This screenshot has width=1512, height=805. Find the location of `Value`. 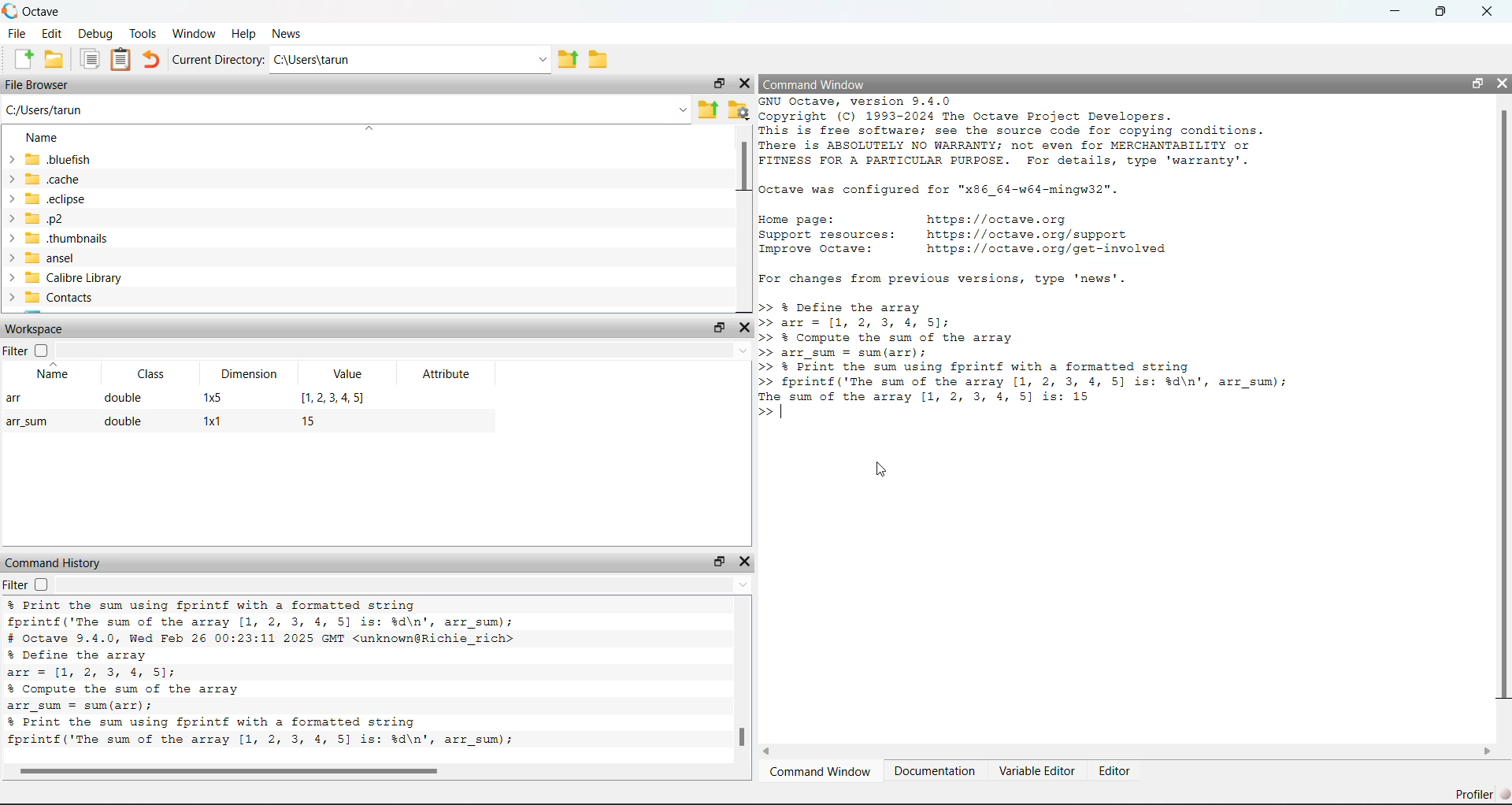

Value is located at coordinates (352, 373).